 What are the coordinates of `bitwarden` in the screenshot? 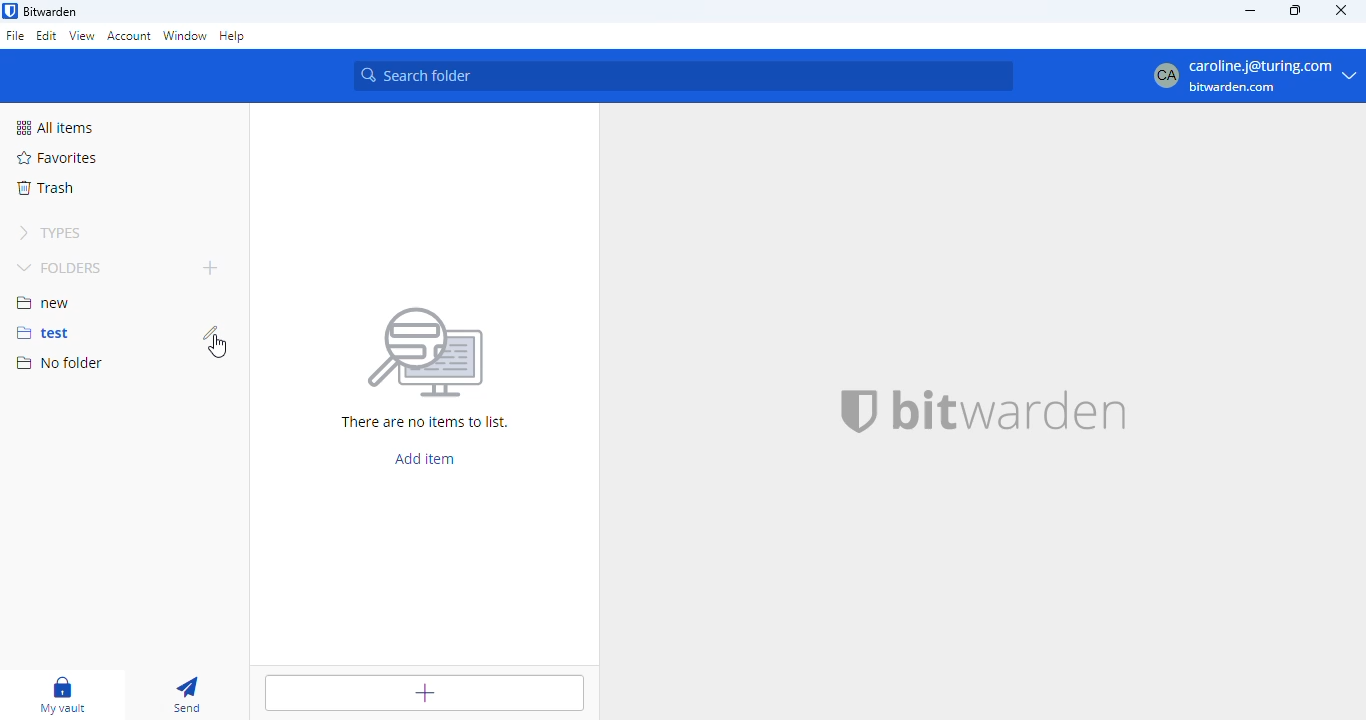 It's located at (1009, 410).